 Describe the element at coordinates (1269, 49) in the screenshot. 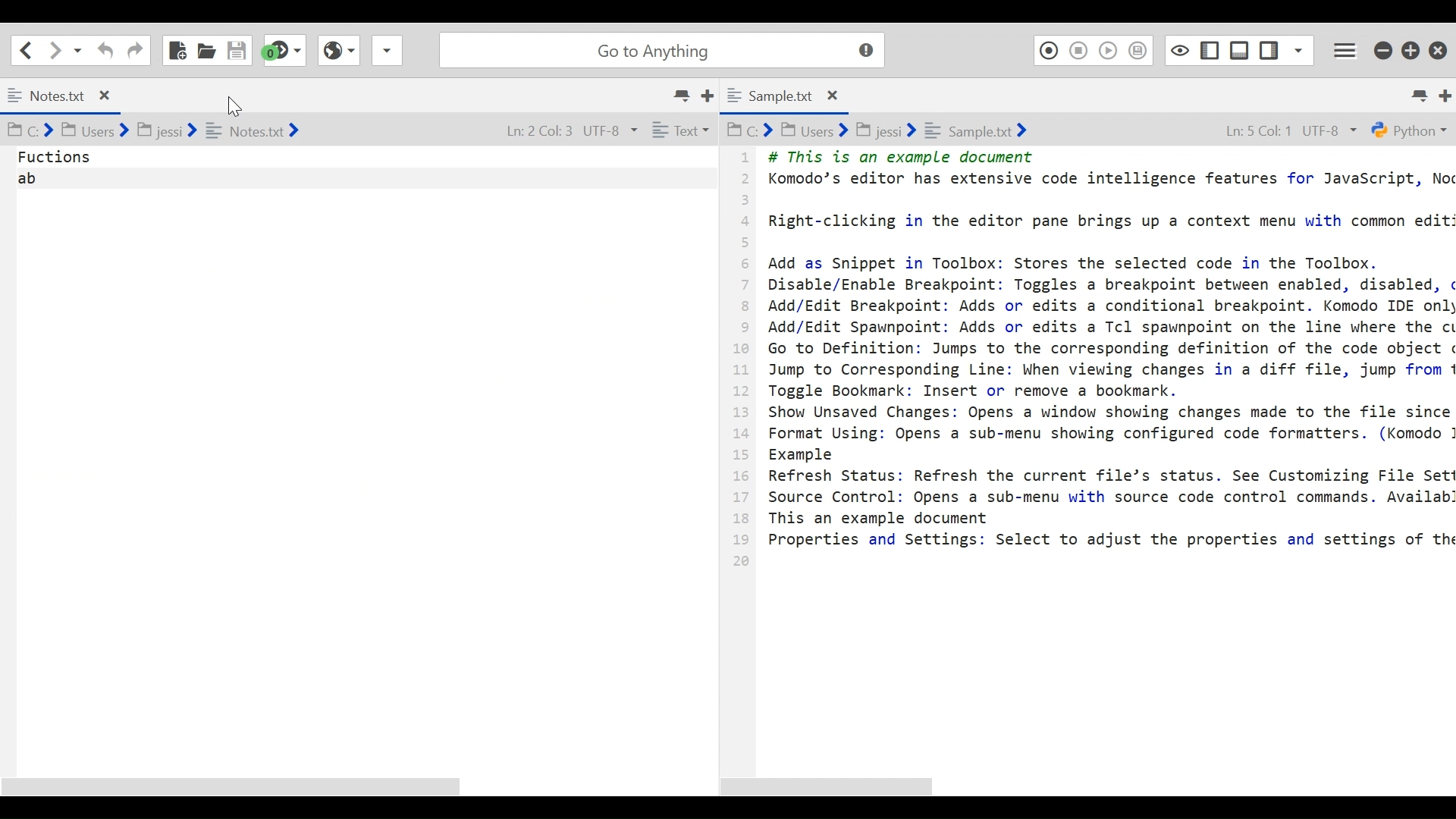

I see `Show/Hide Left Pane` at that location.